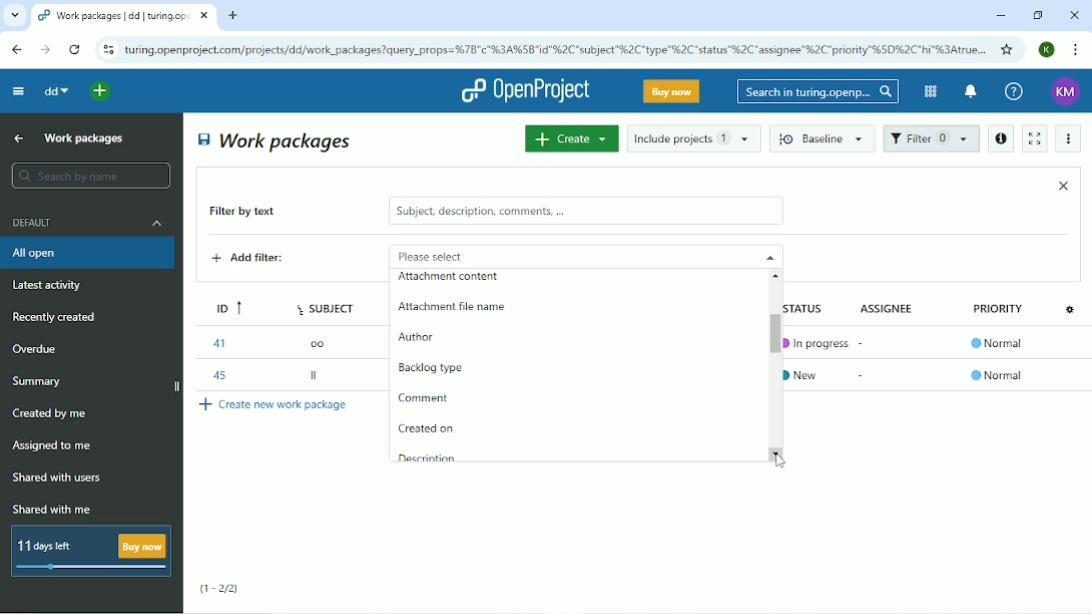 The image size is (1092, 614). What do you see at coordinates (1070, 139) in the screenshot?
I see `More actions` at bounding box center [1070, 139].